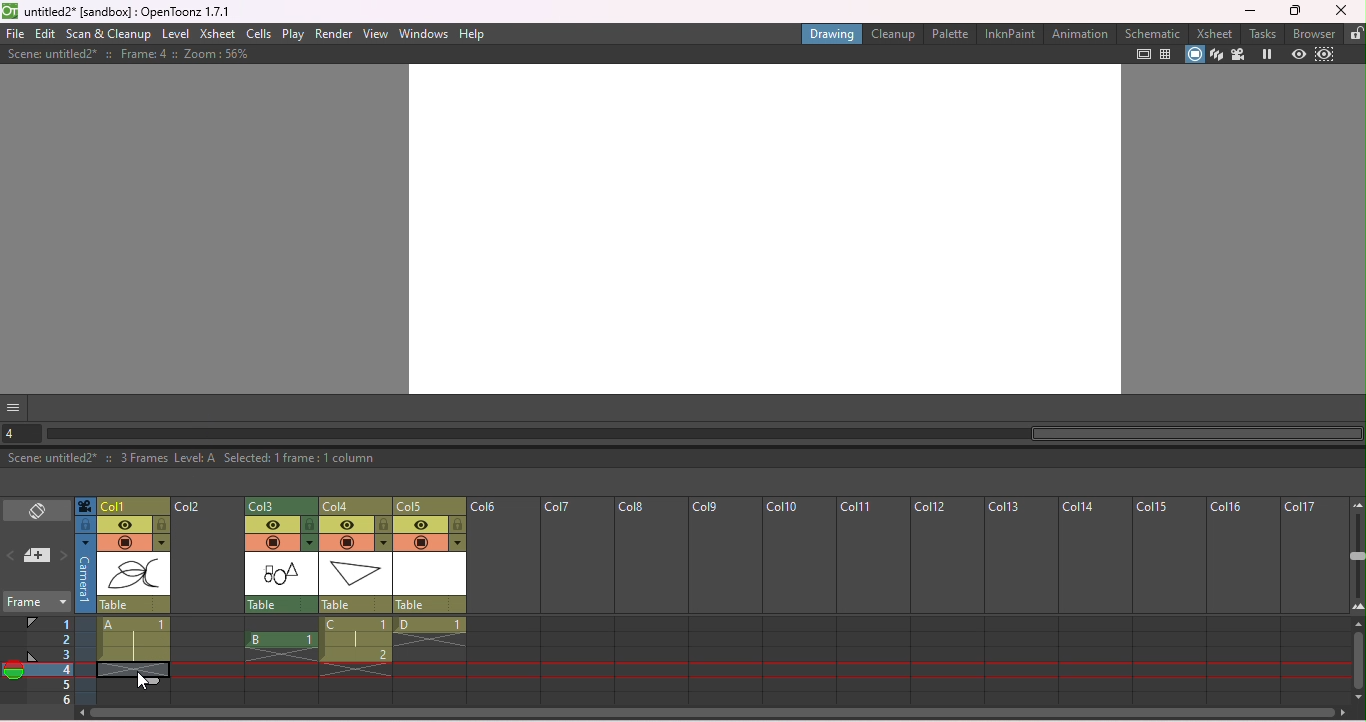 Image resolution: width=1366 pixels, height=722 pixels. I want to click on Lock toggle, so click(458, 525).